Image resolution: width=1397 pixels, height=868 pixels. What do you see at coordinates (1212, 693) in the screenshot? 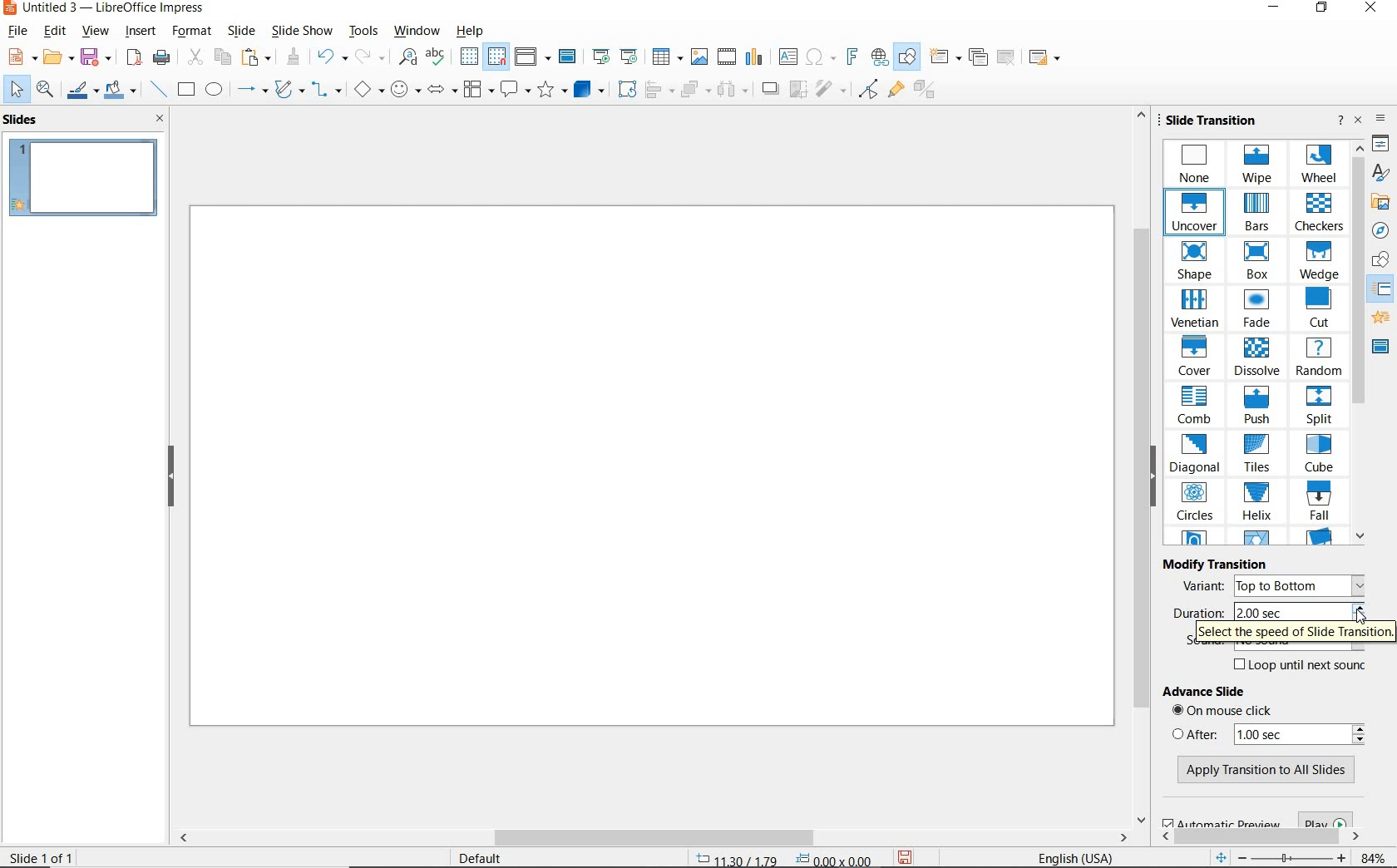
I see `ADVANCE SLIDE` at bounding box center [1212, 693].